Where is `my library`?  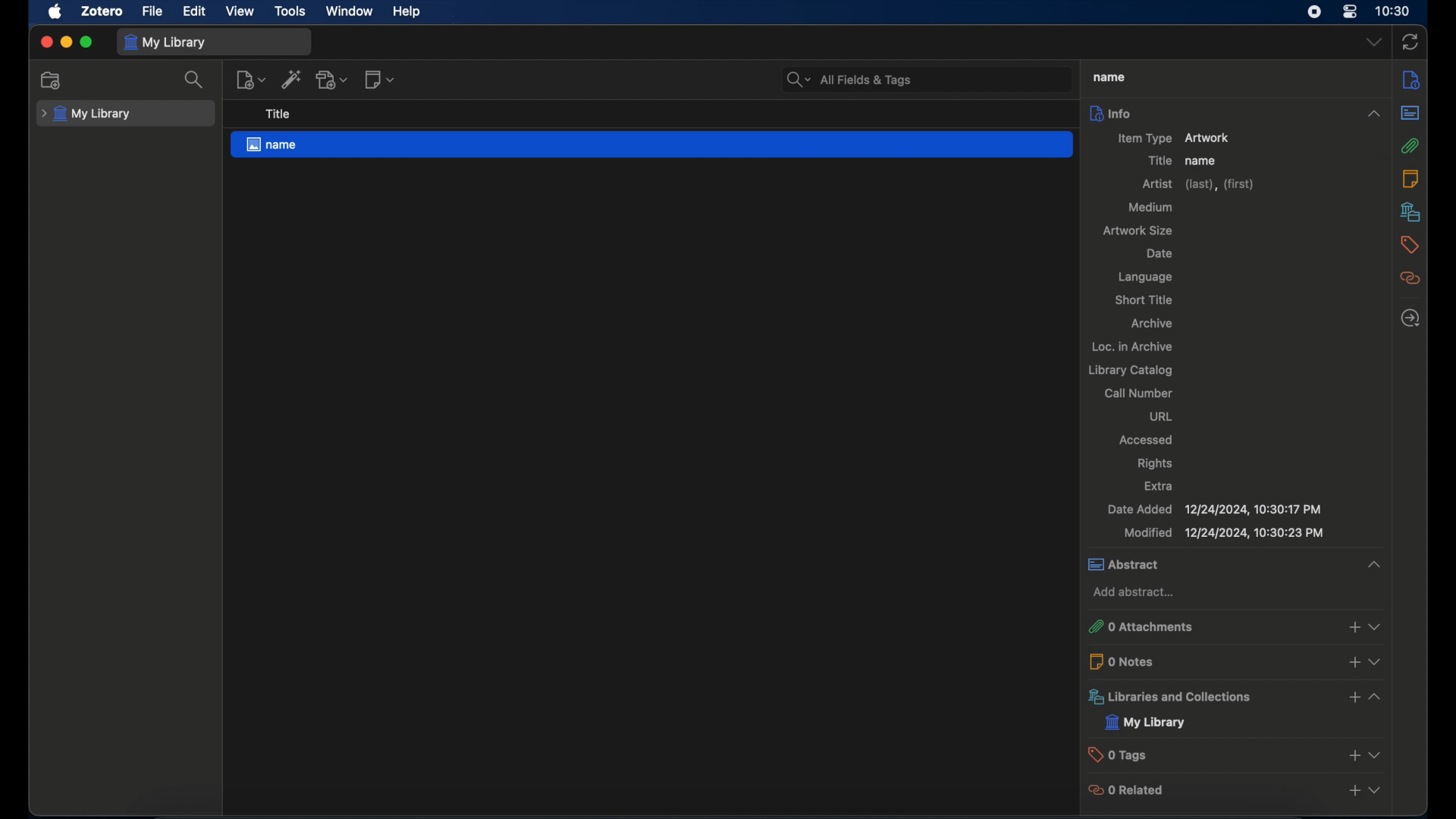 my library is located at coordinates (165, 42).